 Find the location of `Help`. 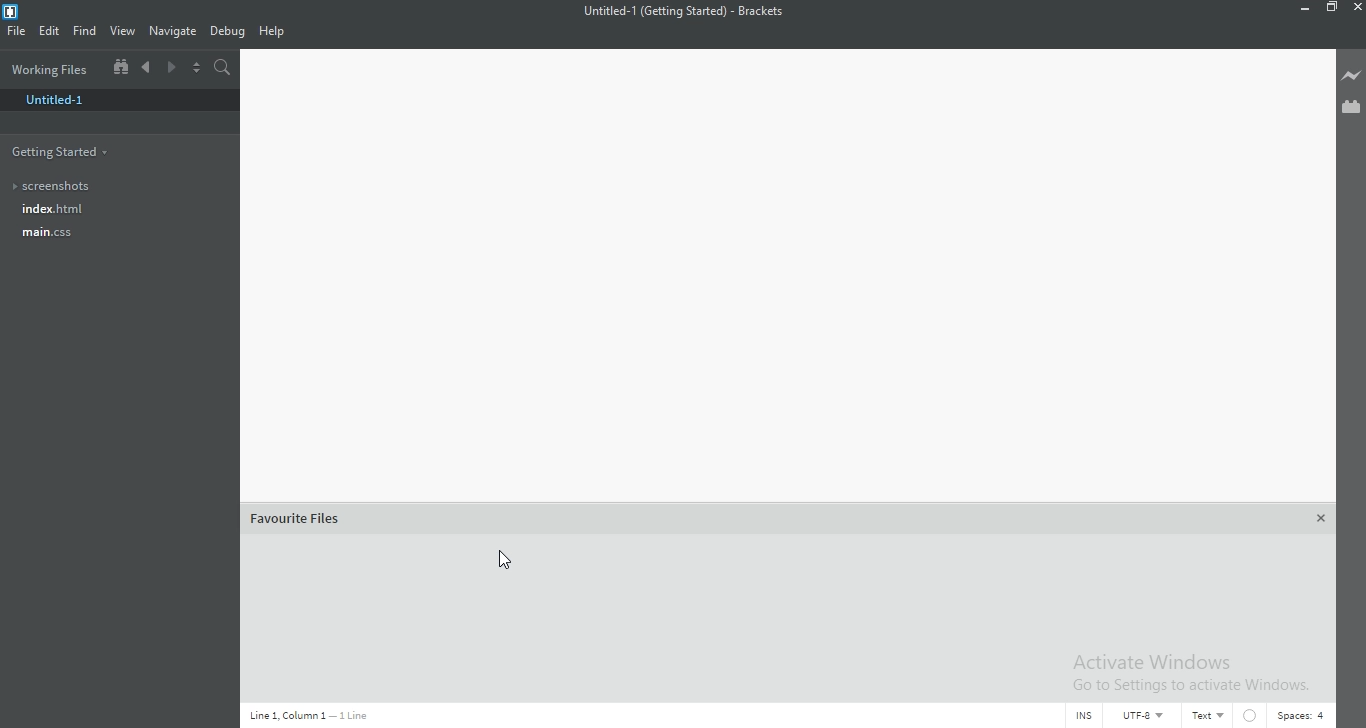

Help is located at coordinates (279, 31).